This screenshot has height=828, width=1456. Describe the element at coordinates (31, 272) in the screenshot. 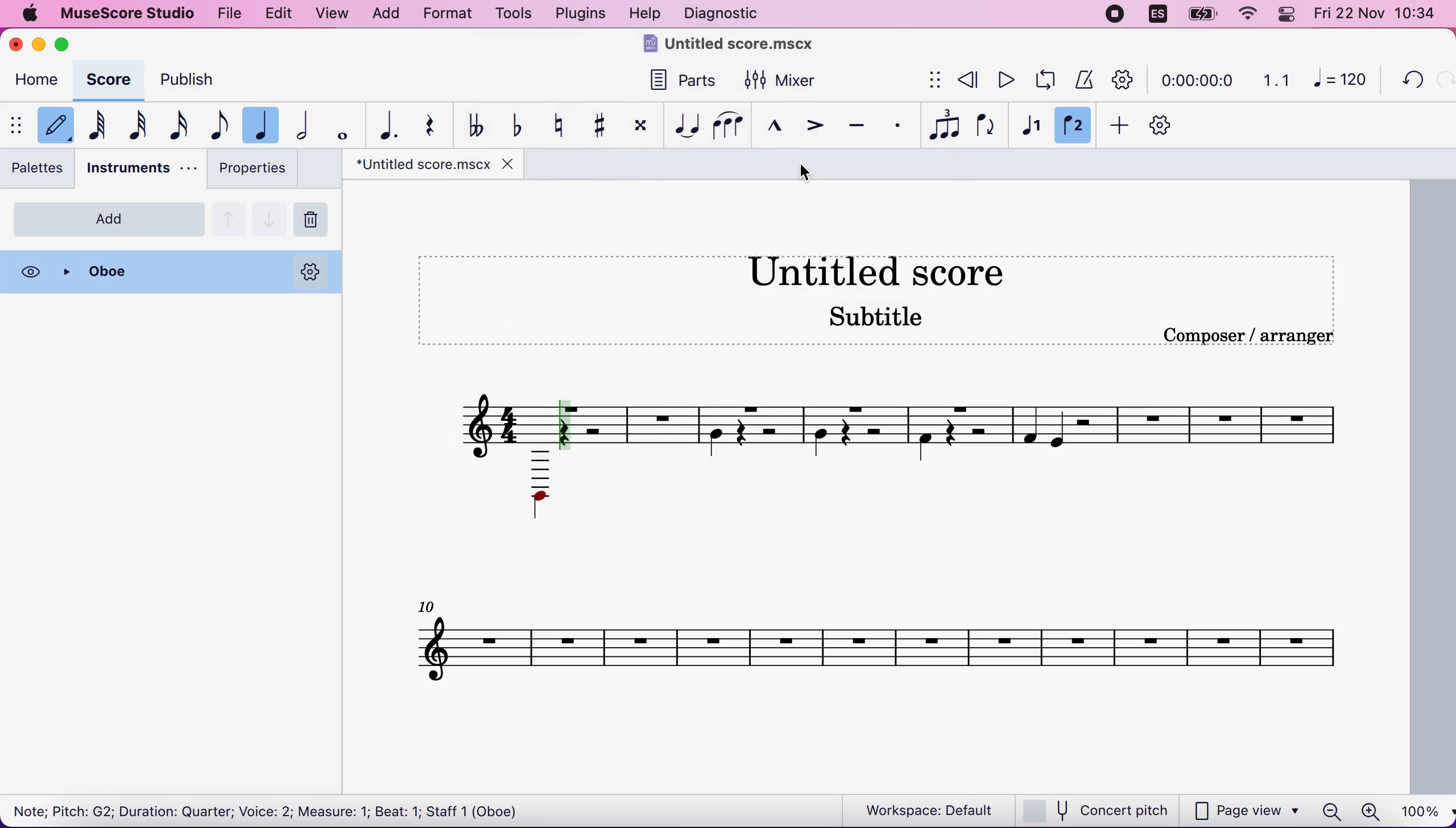

I see `visibility` at that location.